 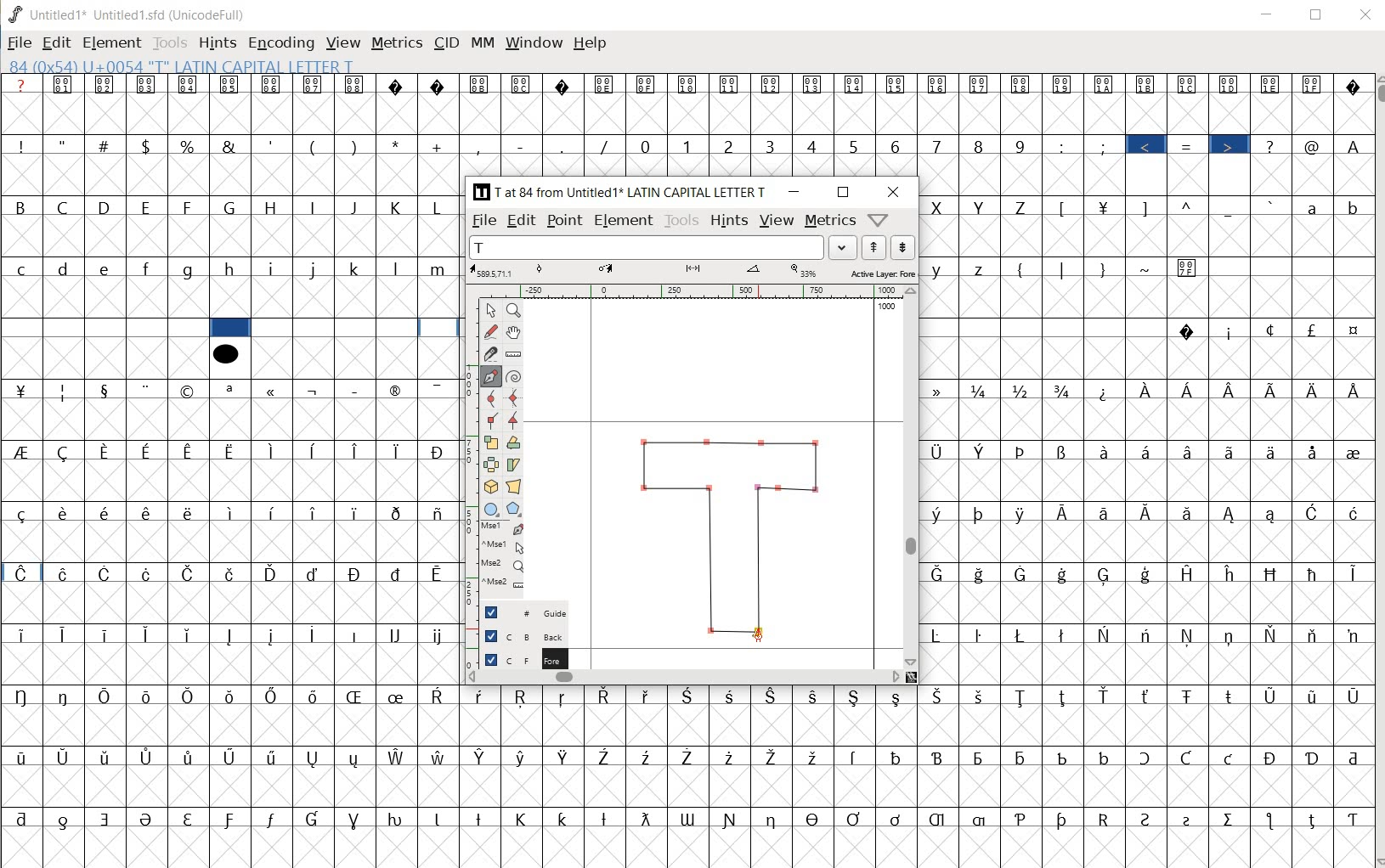 What do you see at coordinates (438, 451) in the screenshot?
I see `Symbol` at bounding box center [438, 451].